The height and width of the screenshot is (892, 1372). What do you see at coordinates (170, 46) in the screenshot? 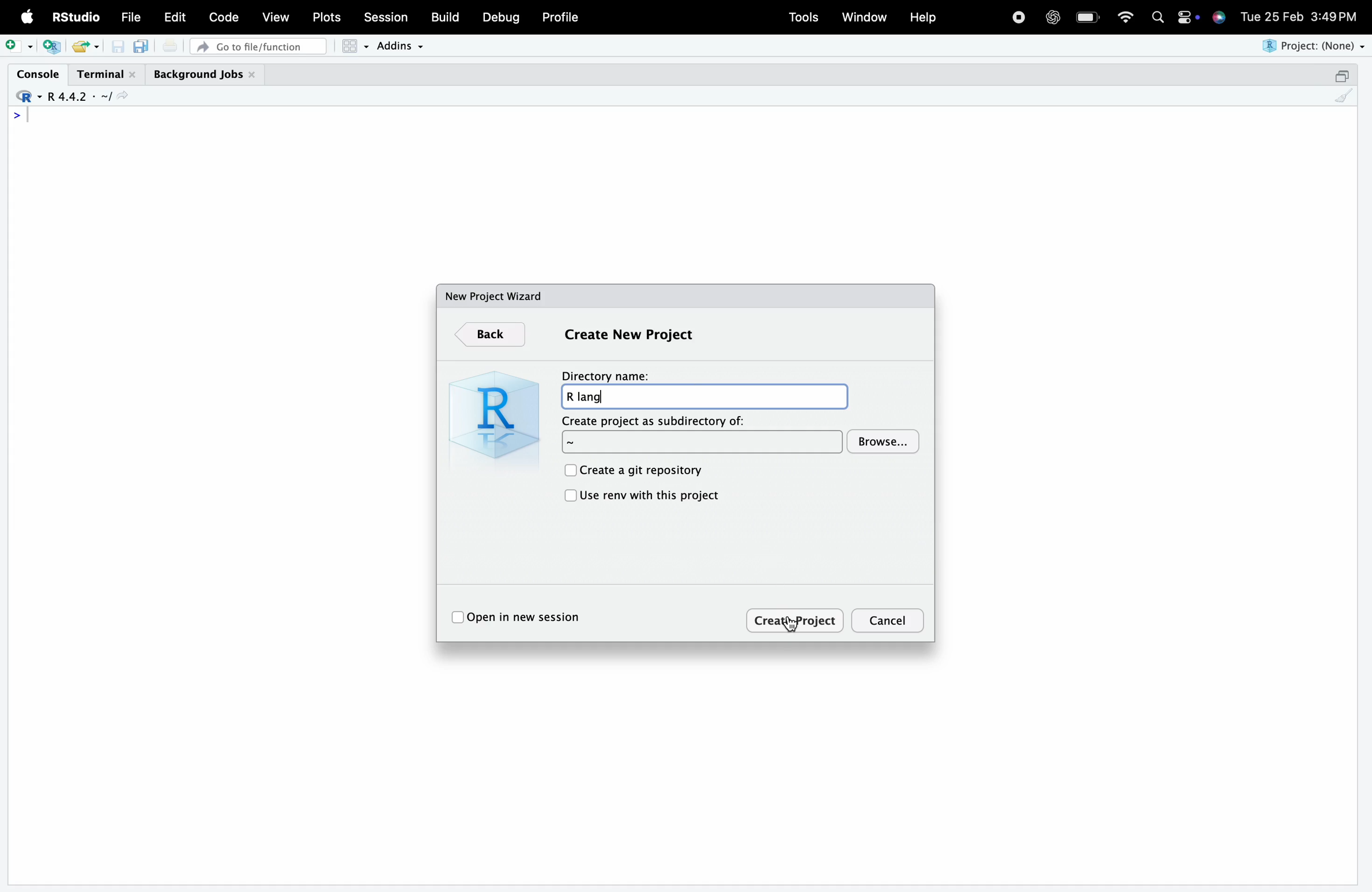
I see `print the current file` at bounding box center [170, 46].